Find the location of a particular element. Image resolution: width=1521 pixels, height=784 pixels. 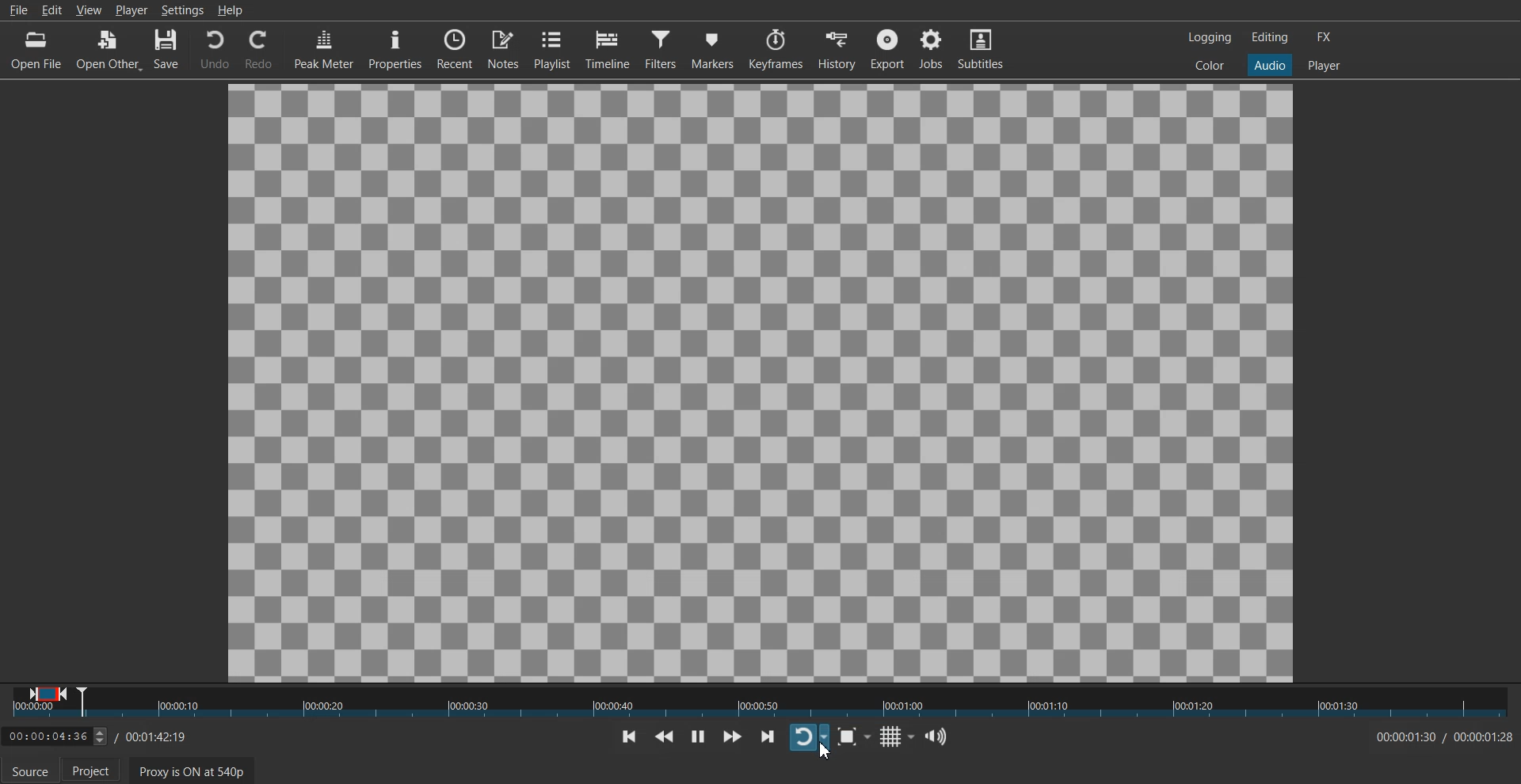

Subtitle is located at coordinates (982, 48).